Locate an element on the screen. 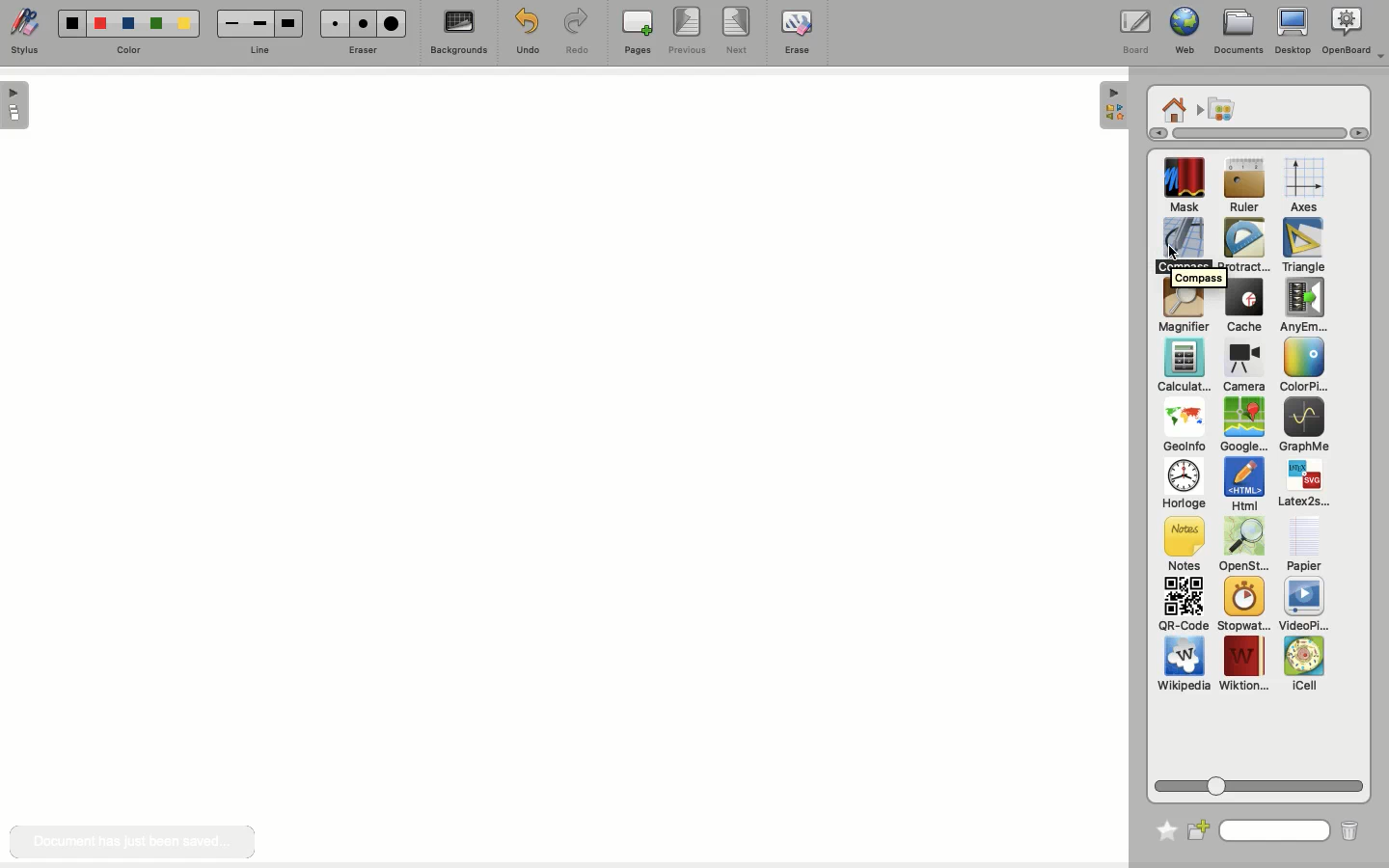 Image resolution: width=1389 pixels, height=868 pixels. Mask is located at coordinates (1185, 187).